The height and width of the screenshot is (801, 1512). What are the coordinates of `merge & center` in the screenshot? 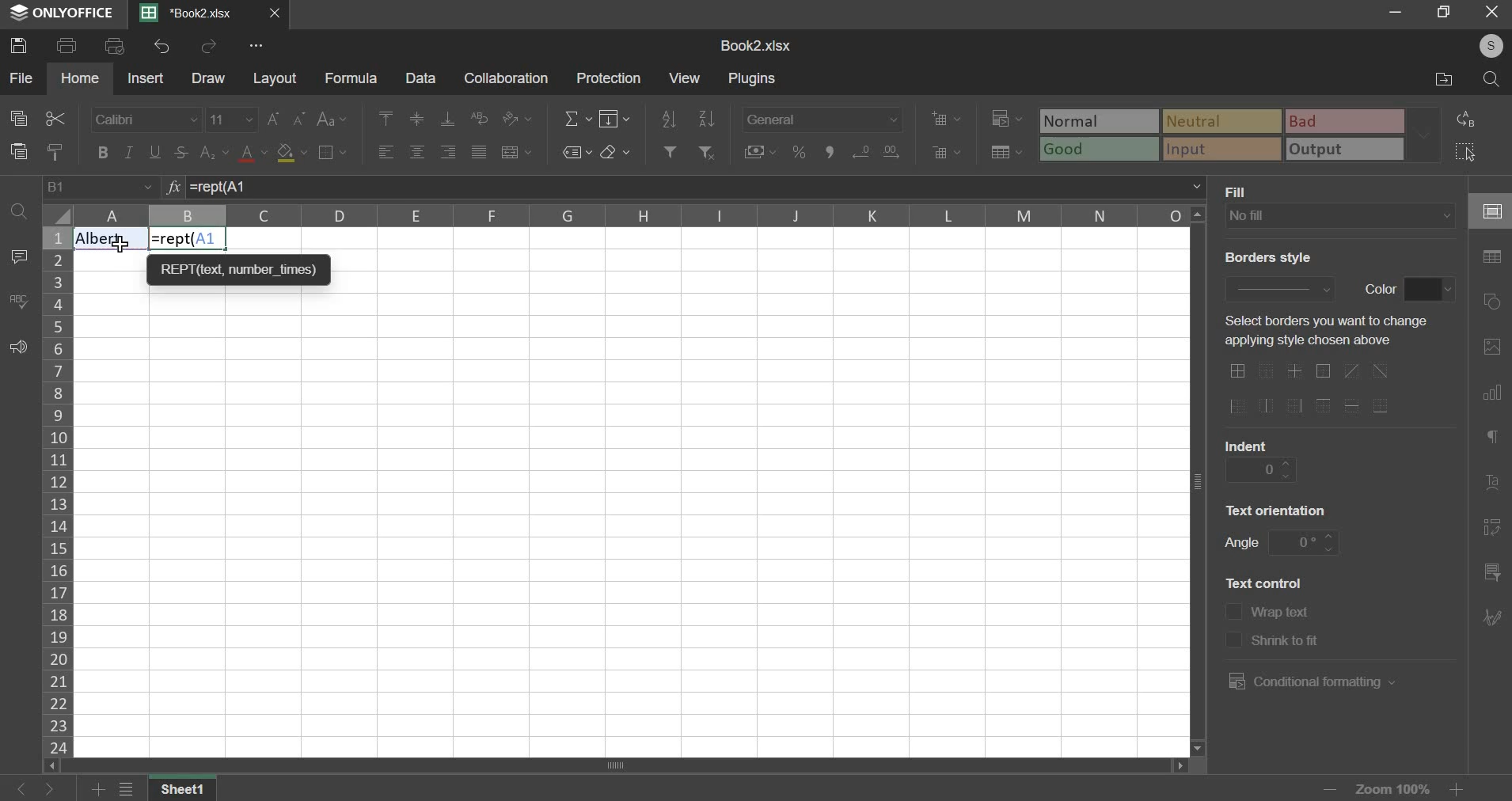 It's located at (515, 152).